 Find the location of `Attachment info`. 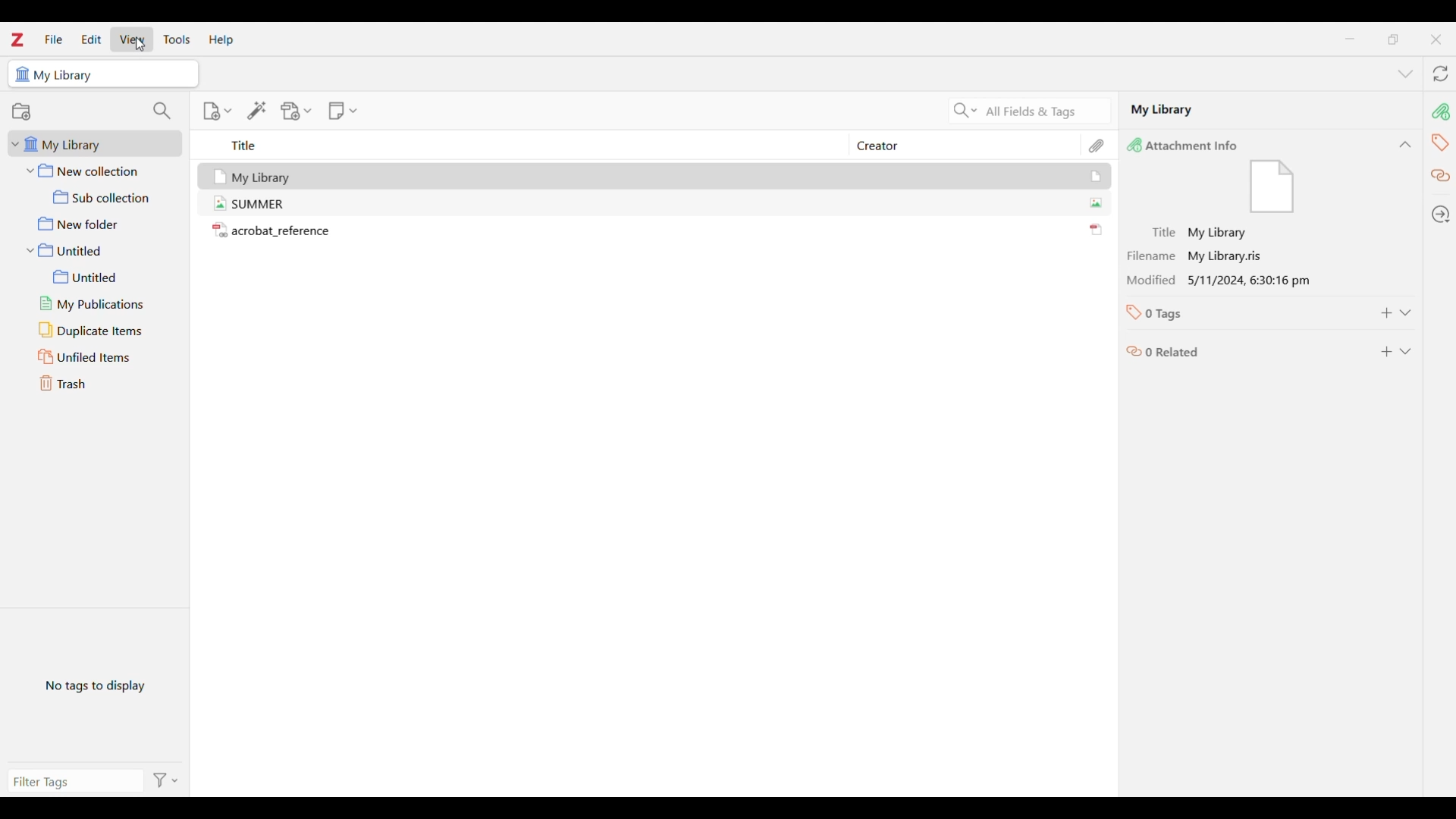

Attachment info is located at coordinates (1441, 111).